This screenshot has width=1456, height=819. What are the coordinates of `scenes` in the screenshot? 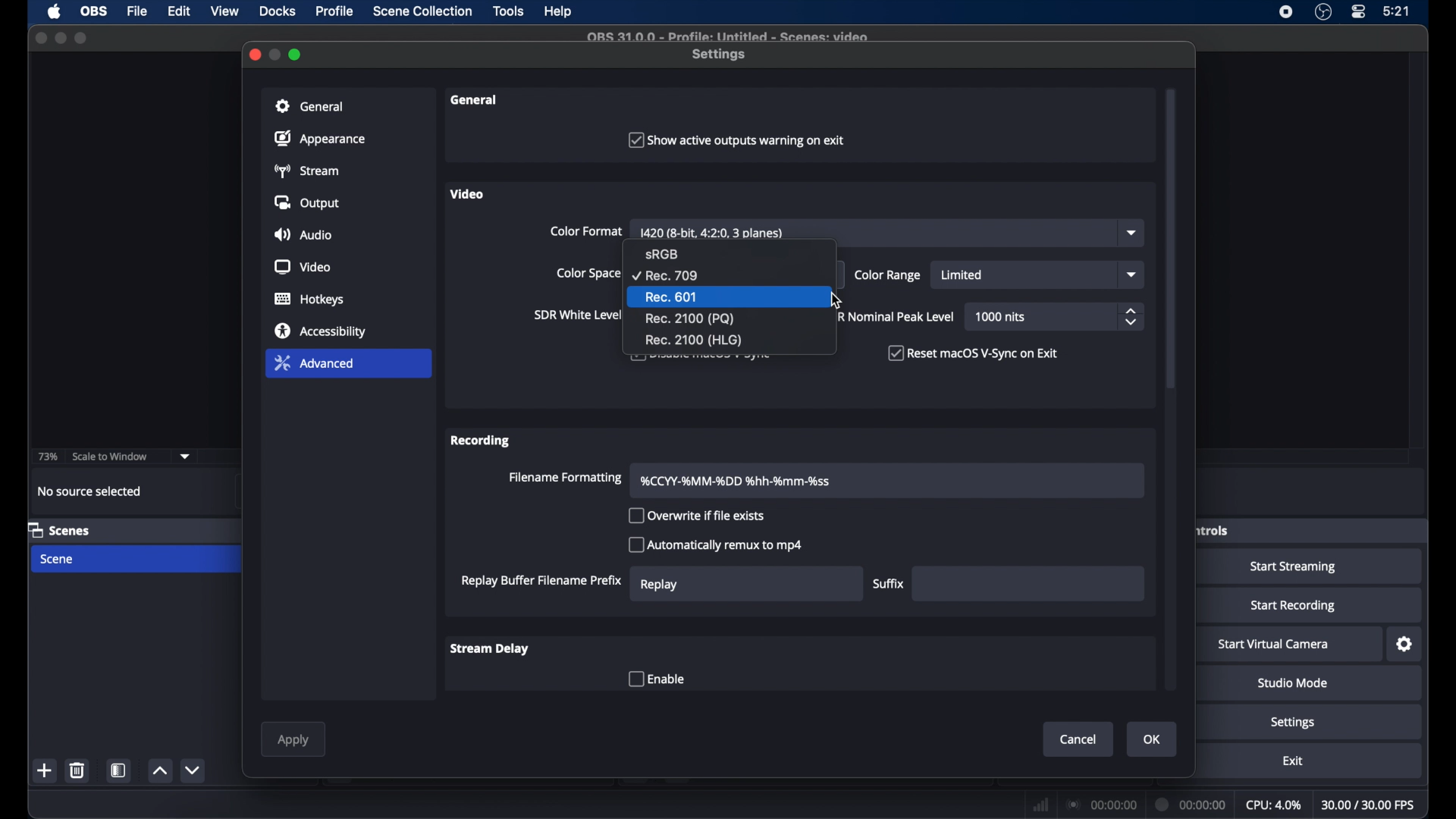 It's located at (61, 531).